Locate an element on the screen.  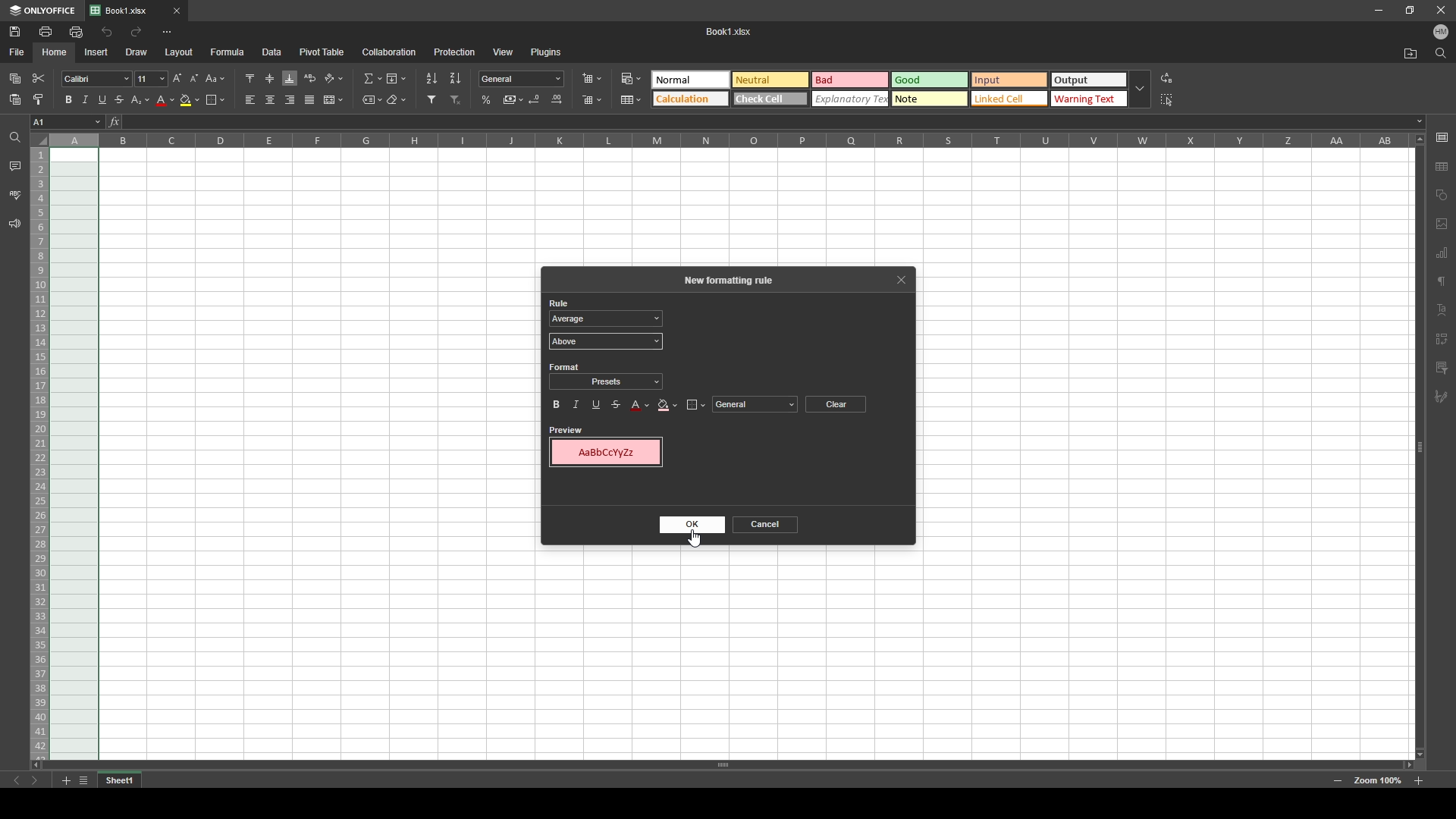
cells is located at coordinates (755, 206).